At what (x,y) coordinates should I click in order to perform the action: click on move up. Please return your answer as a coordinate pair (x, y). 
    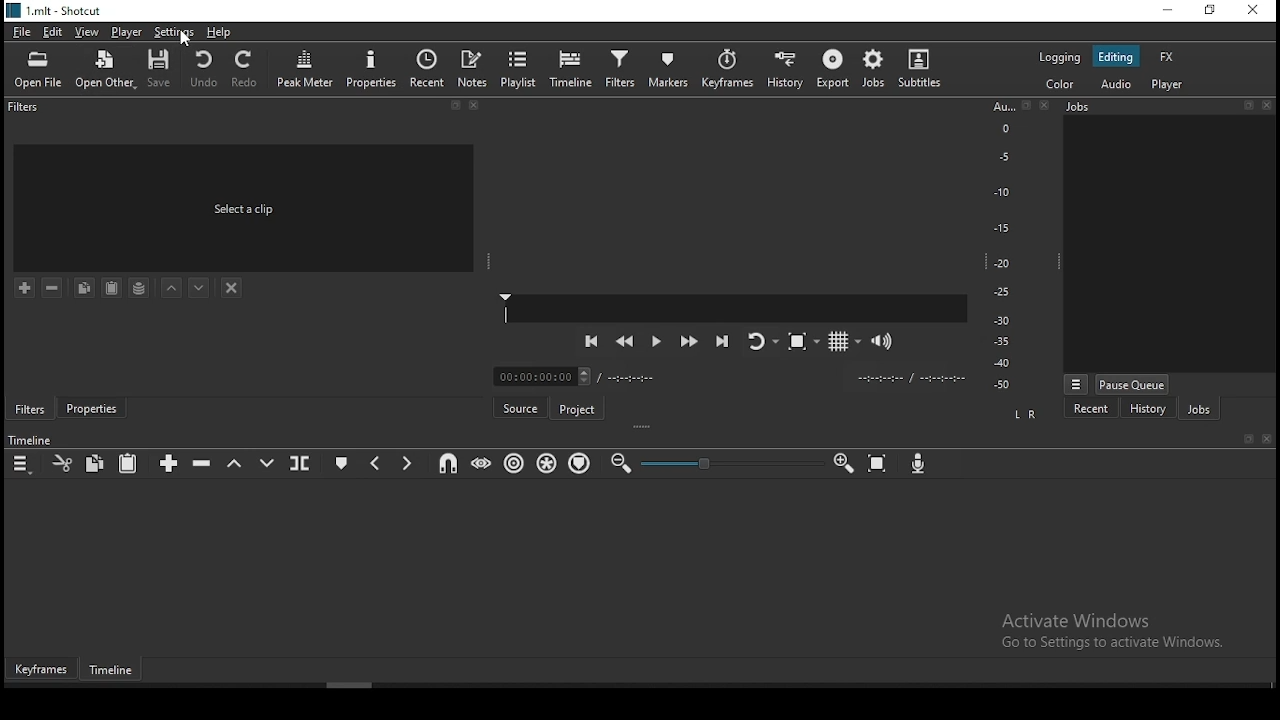
    Looking at the image, I should click on (201, 288).